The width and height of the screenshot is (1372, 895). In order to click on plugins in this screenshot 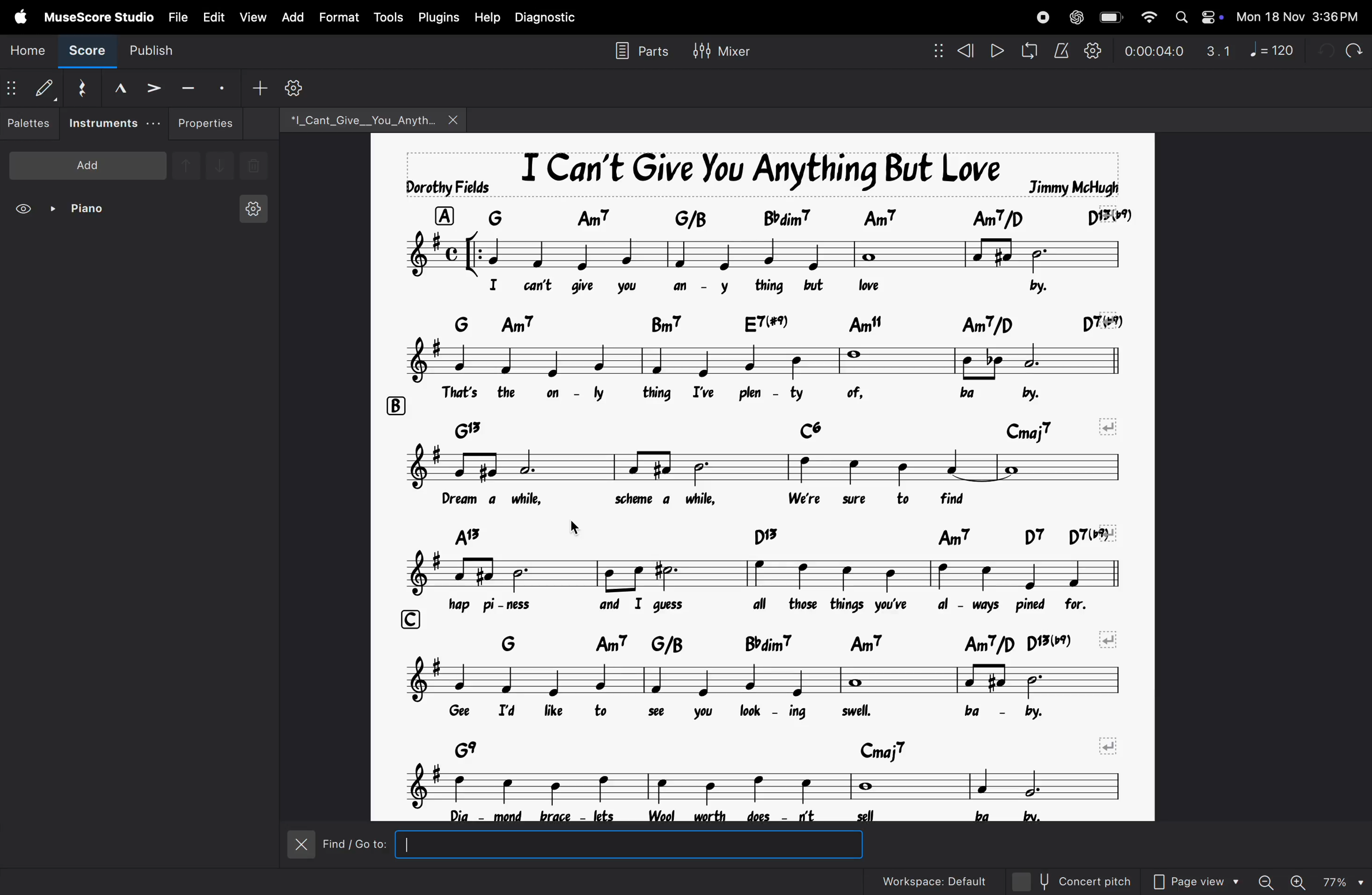, I will do `click(437, 17)`.